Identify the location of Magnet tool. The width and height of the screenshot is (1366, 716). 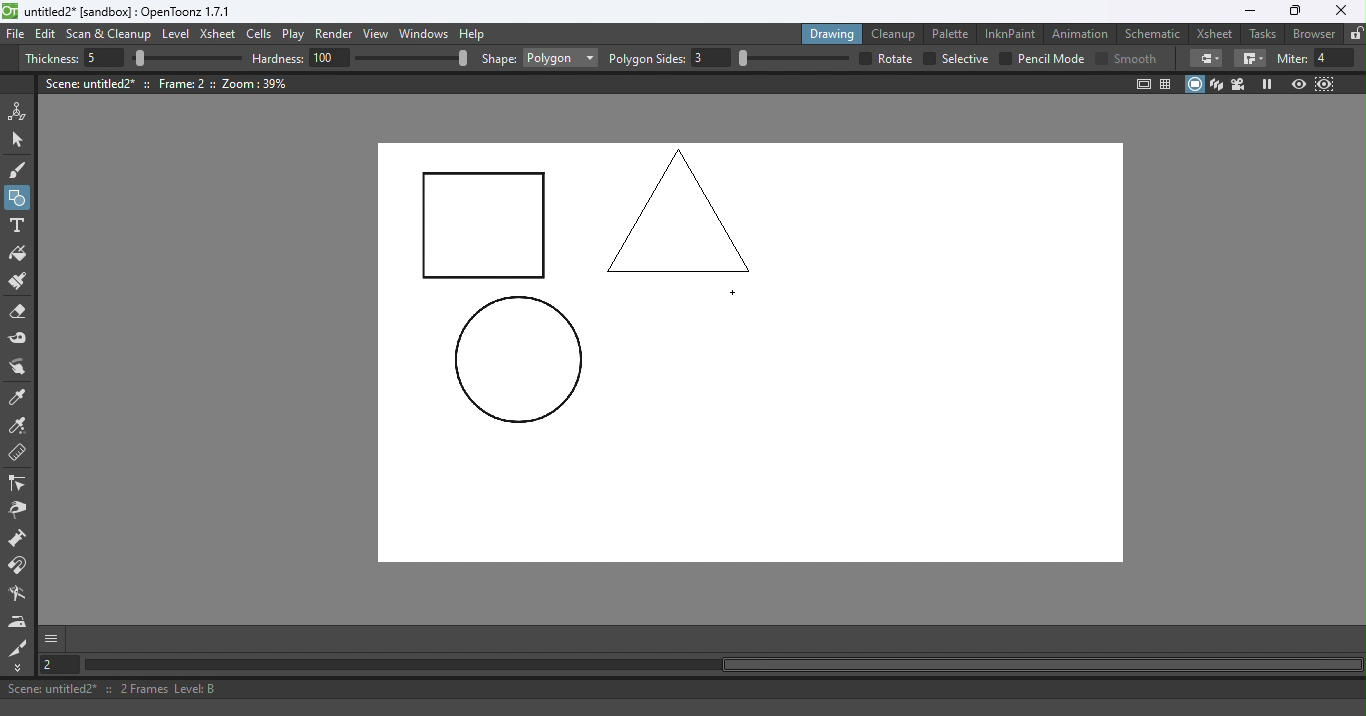
(19, 540).